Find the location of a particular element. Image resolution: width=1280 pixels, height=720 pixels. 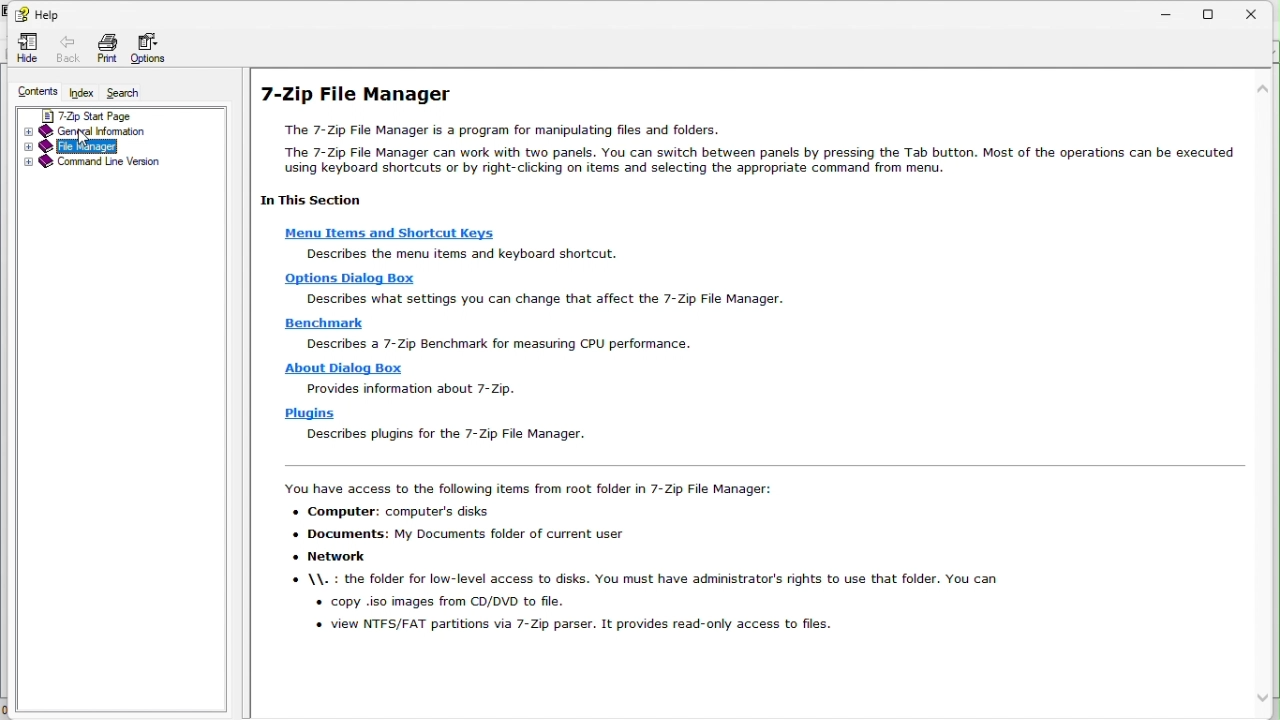

help is located at coordinates (41, 13).